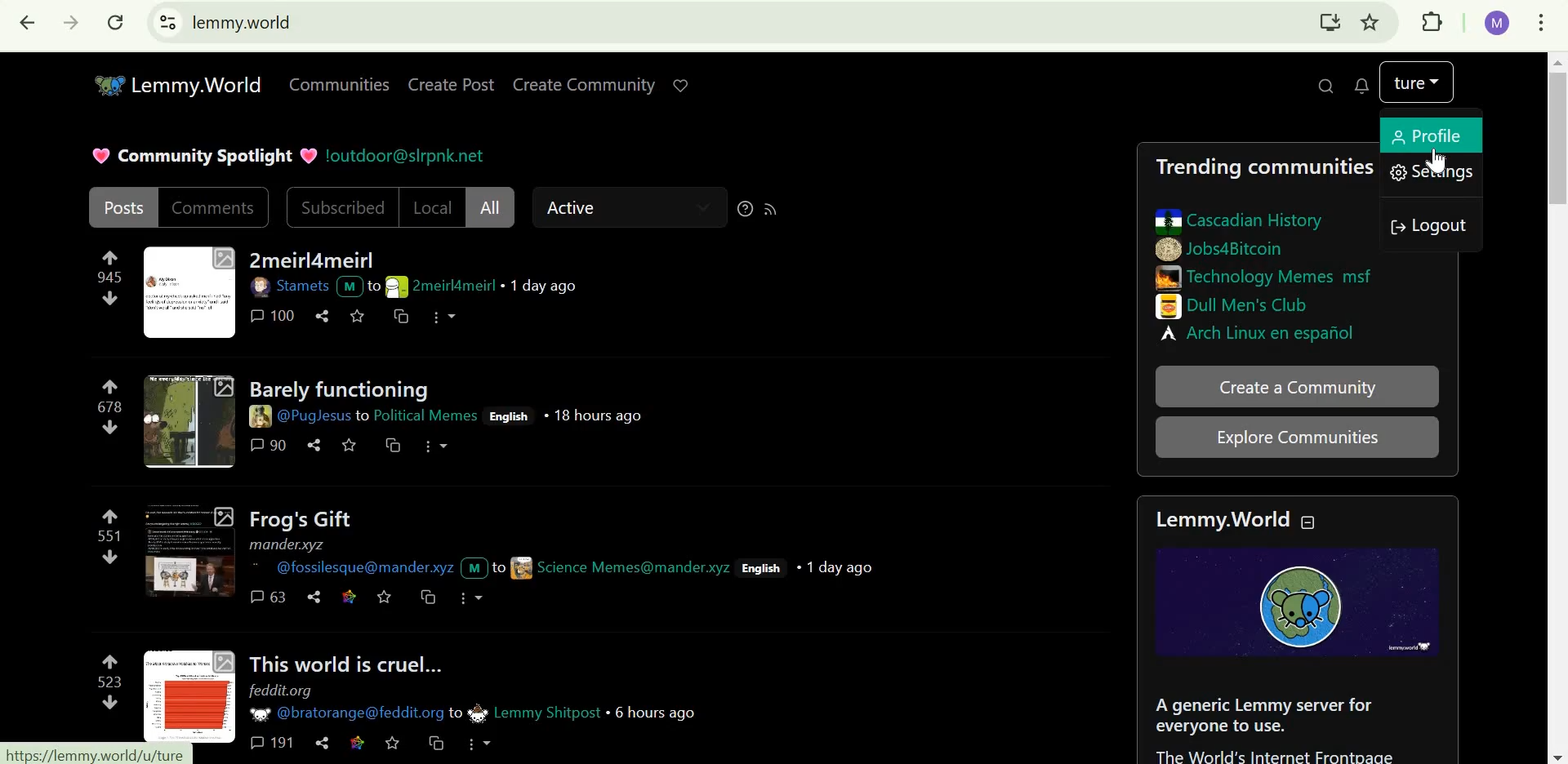 The image size is (1568, 764). What do you see at coordinates (745, 208) in the screenshot?
I see `sorting help` at bounding box center [745, 208].